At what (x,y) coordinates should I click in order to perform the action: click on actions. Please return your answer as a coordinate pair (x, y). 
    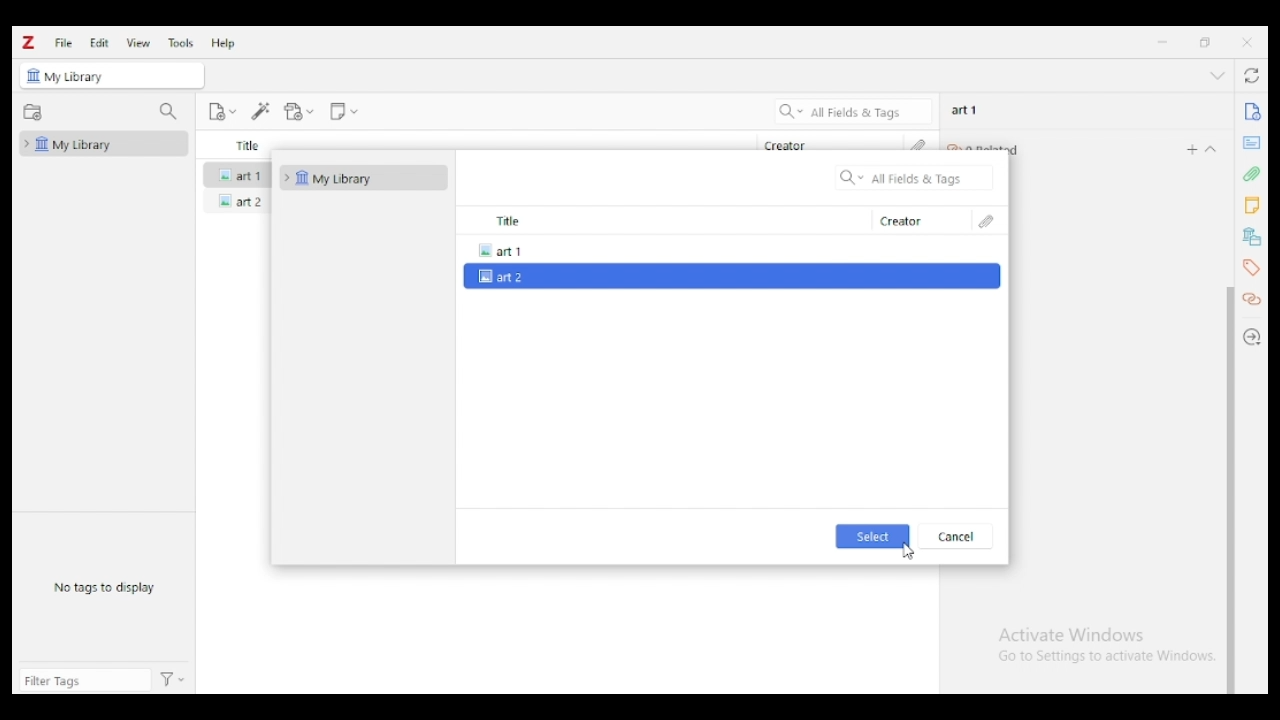
    Looking at the image, I should click on (173, 681).